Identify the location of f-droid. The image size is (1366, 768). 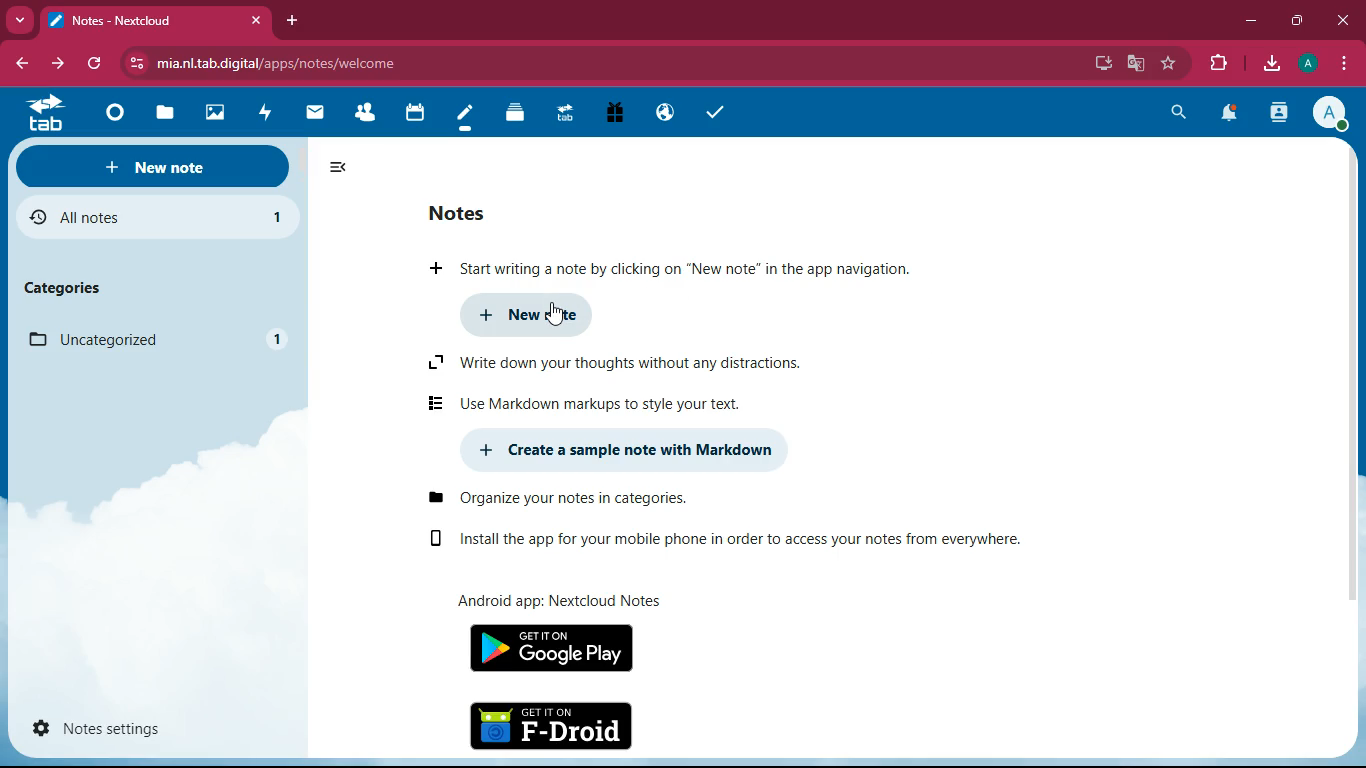
(551, 725).